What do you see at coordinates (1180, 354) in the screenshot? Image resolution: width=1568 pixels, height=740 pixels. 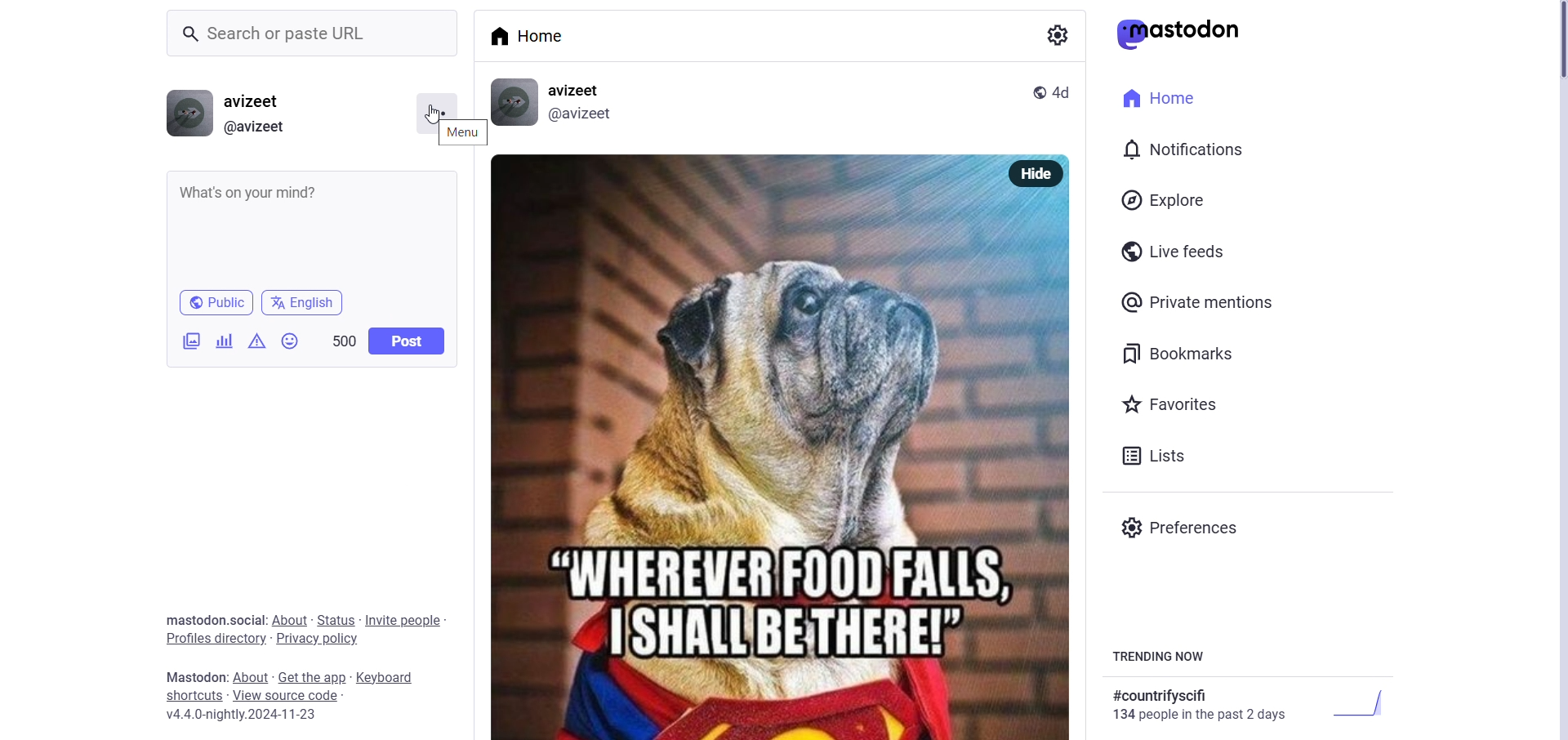 I see `bookmark` at bounding box center [1180, 354].